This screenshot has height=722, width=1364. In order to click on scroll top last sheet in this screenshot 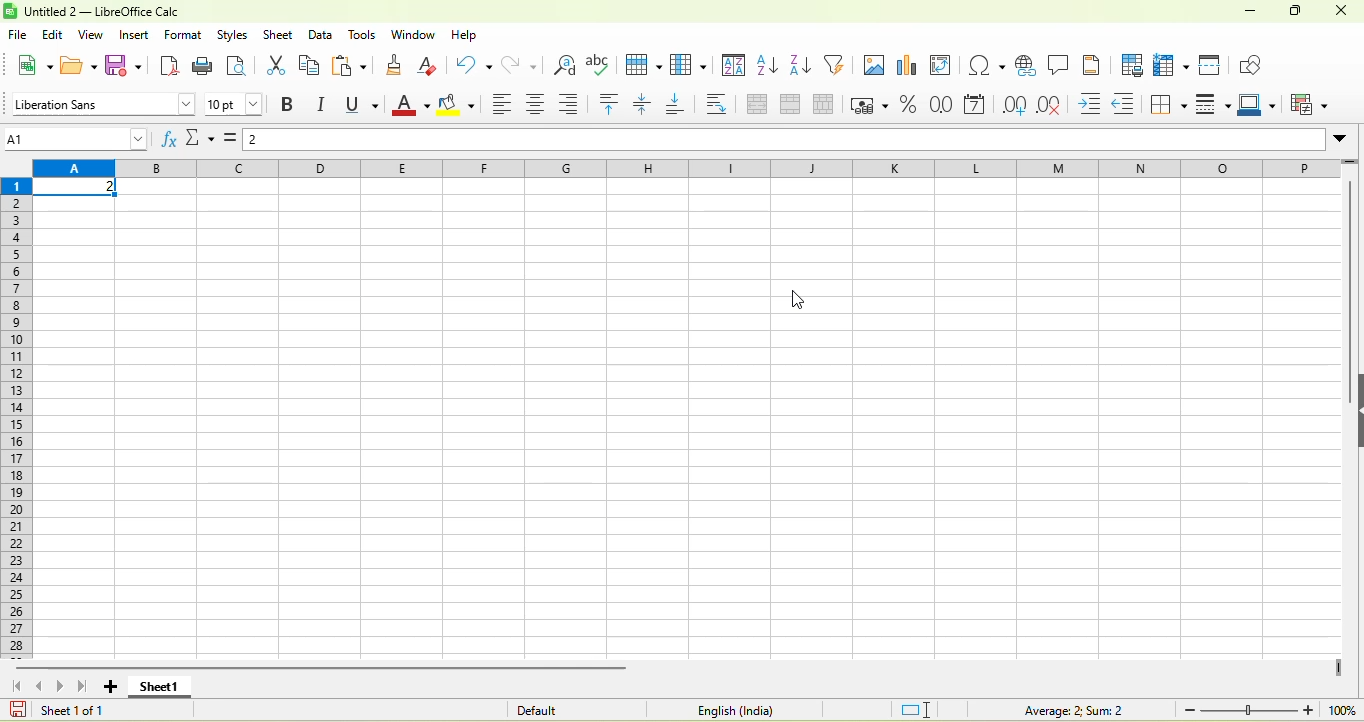, I will do `click(86, 685)`.